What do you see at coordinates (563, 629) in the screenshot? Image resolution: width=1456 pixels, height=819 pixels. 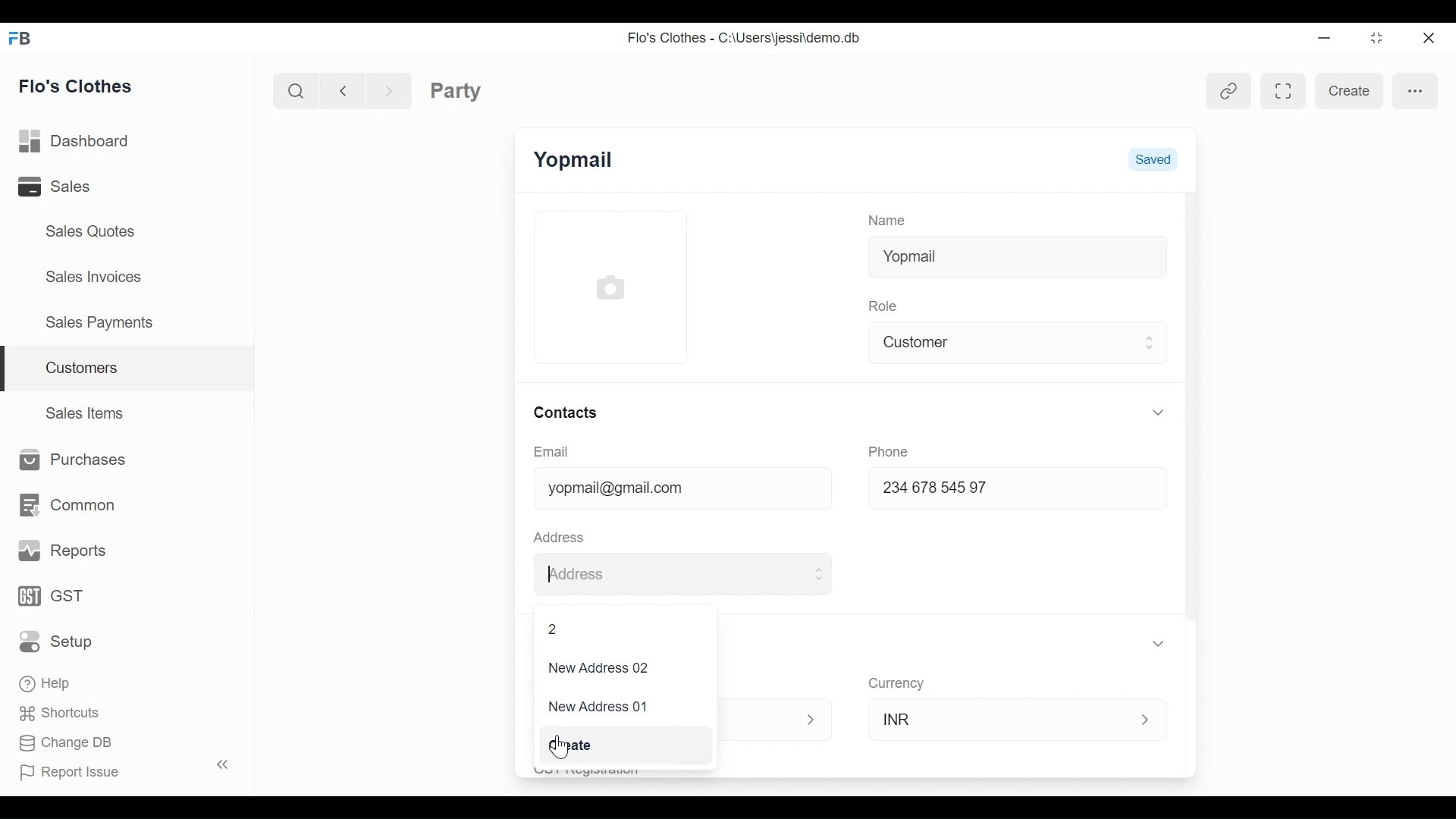 I see `2` at bounding box center [563, 629].